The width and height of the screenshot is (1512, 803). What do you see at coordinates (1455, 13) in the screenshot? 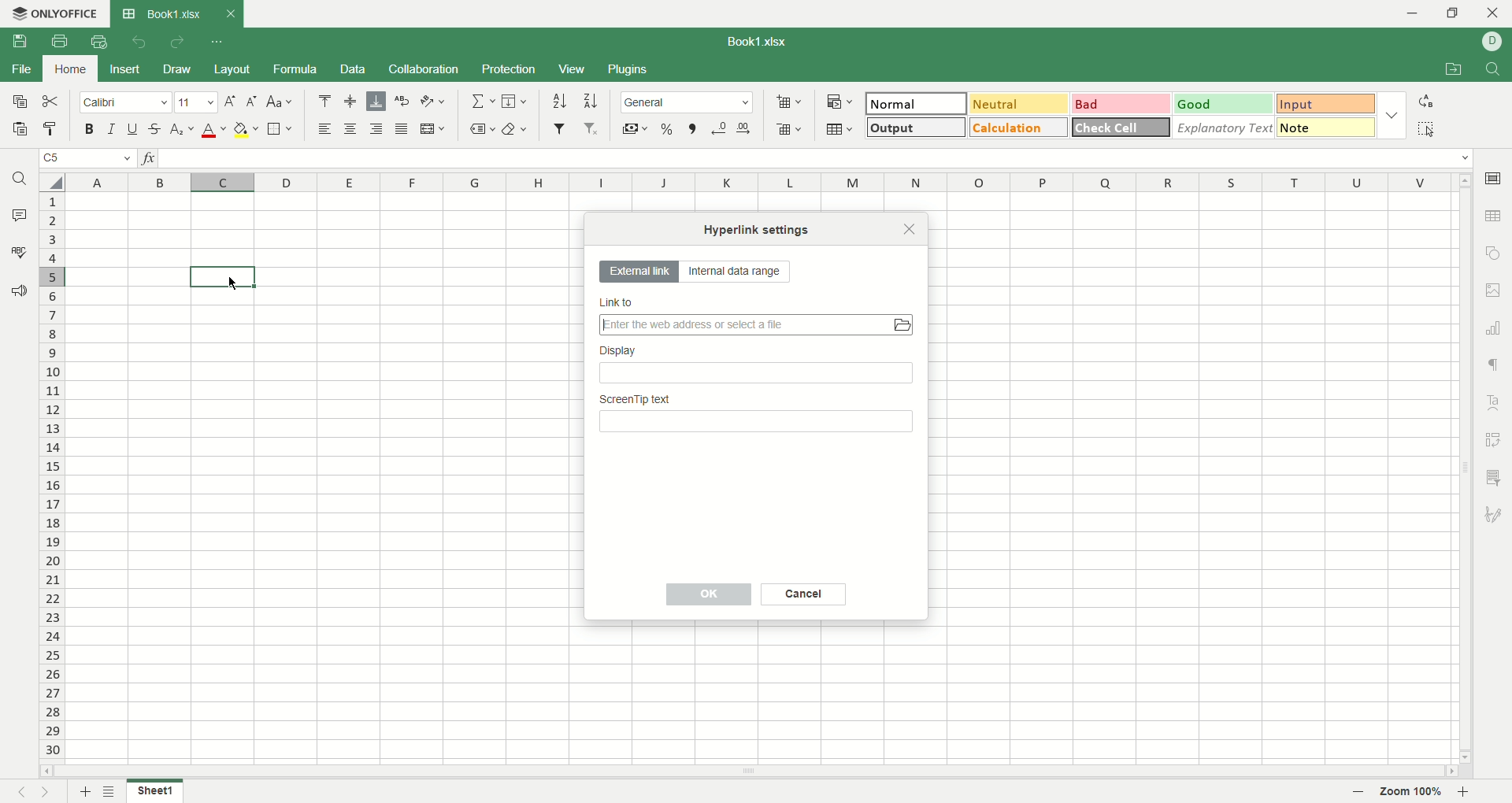
I see `maximize` at bounding box center [1455, 13].